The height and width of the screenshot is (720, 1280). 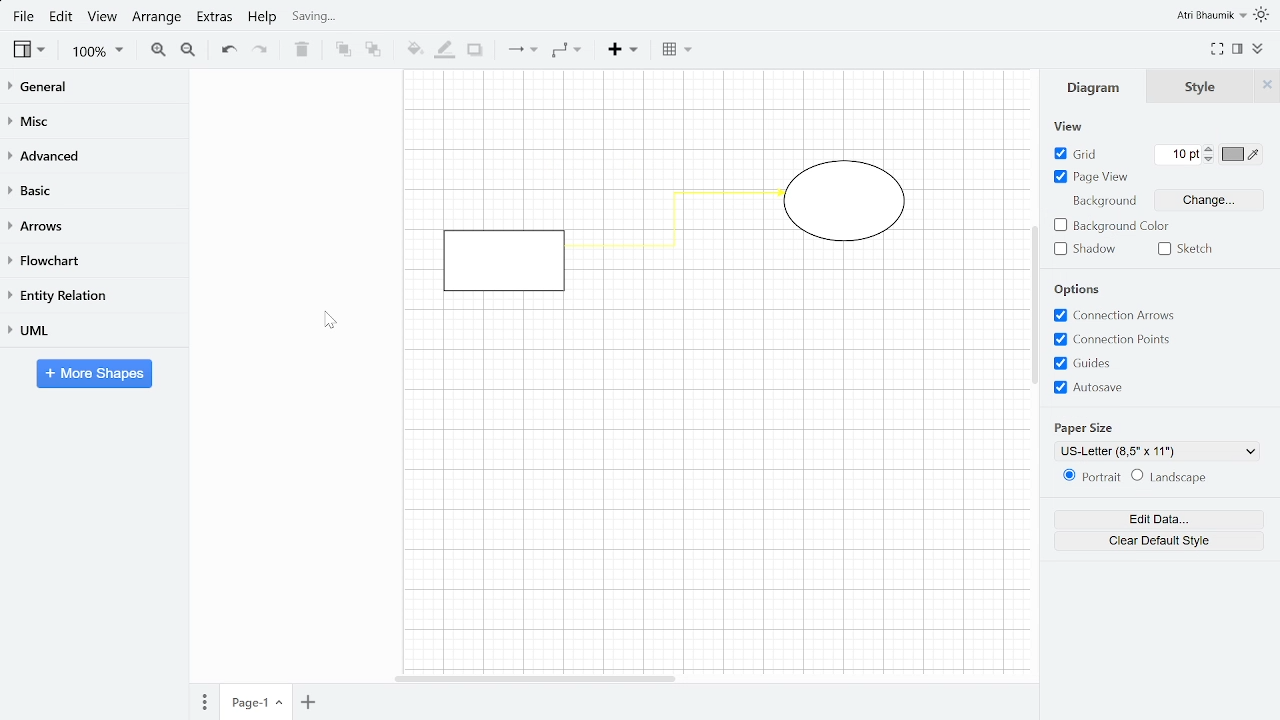 I want to click on More shapes, so click(x=96, y=373).